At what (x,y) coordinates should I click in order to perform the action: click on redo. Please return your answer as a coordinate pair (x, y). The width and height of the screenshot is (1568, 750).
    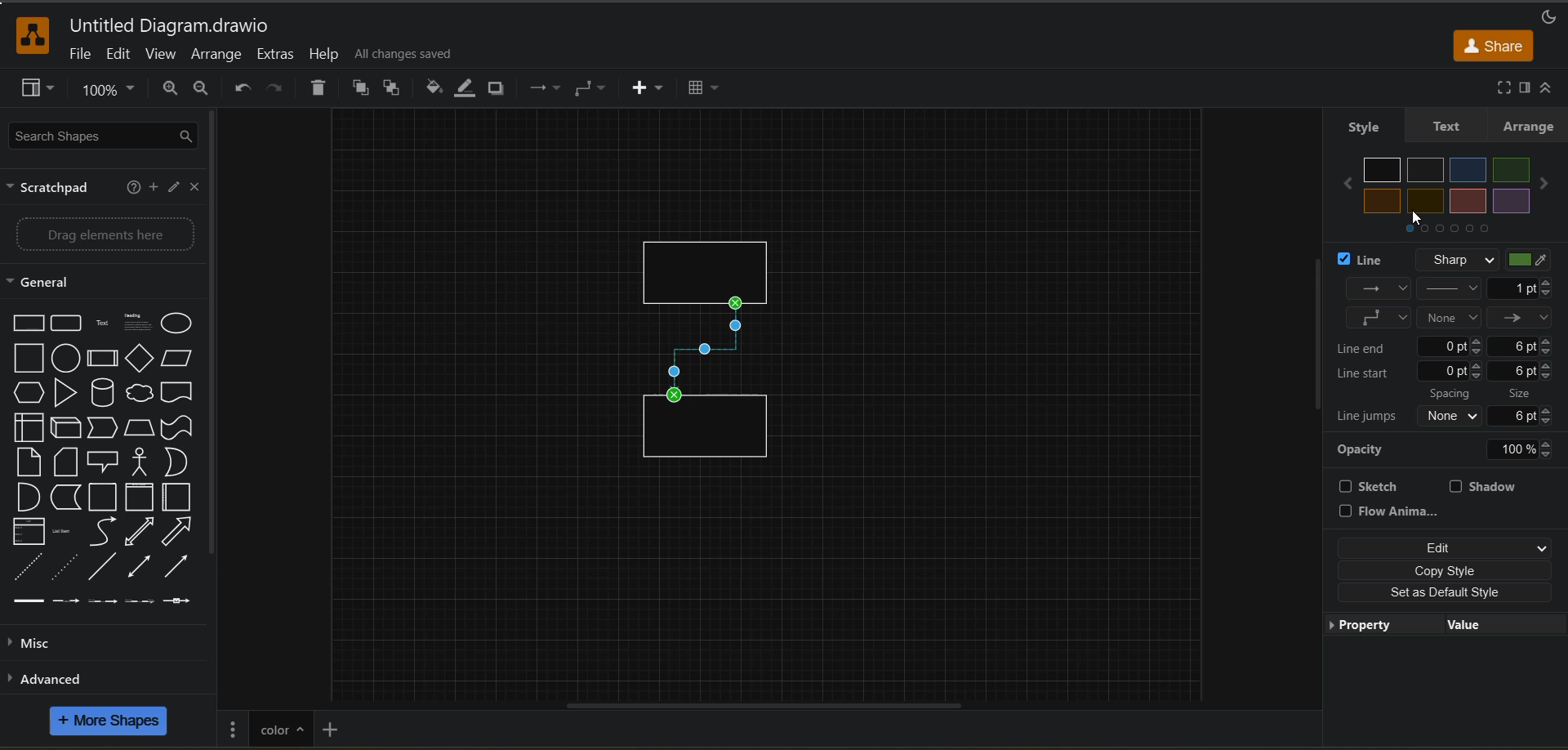
    Looking at the image, I should click on (274, 90).